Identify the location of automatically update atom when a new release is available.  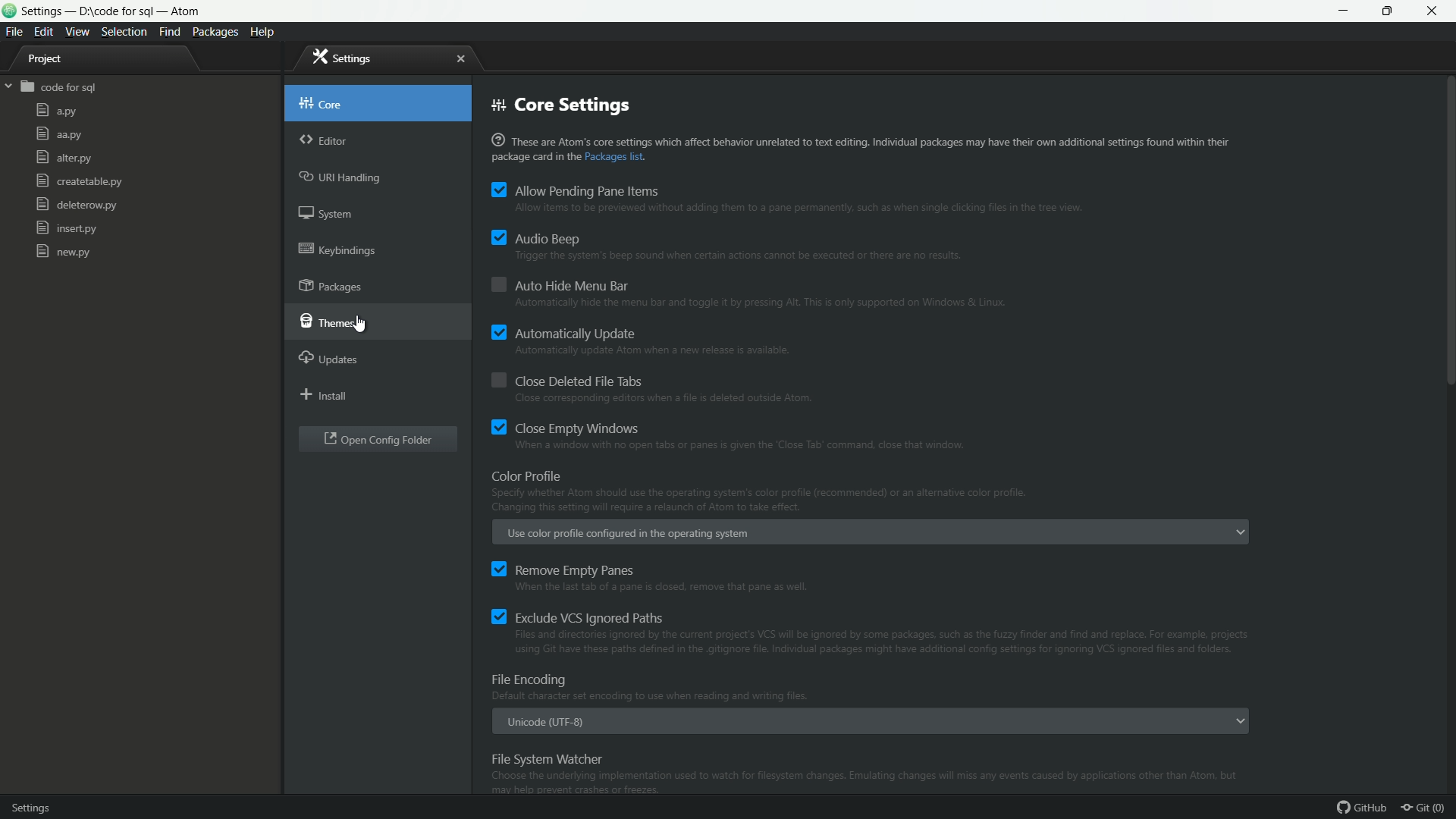
(653, 353).